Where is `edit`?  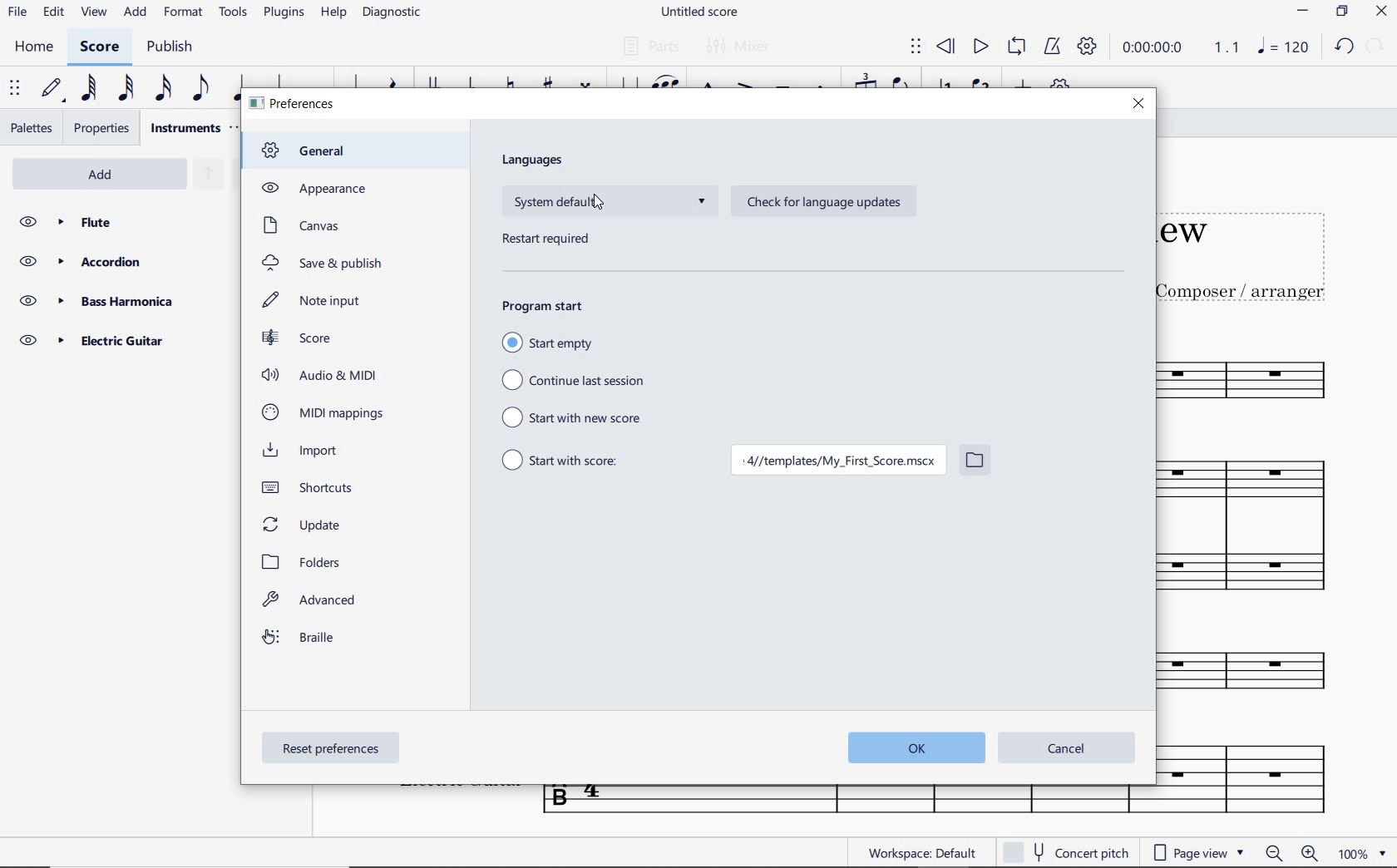 edit is located at coordinates (52, 15).